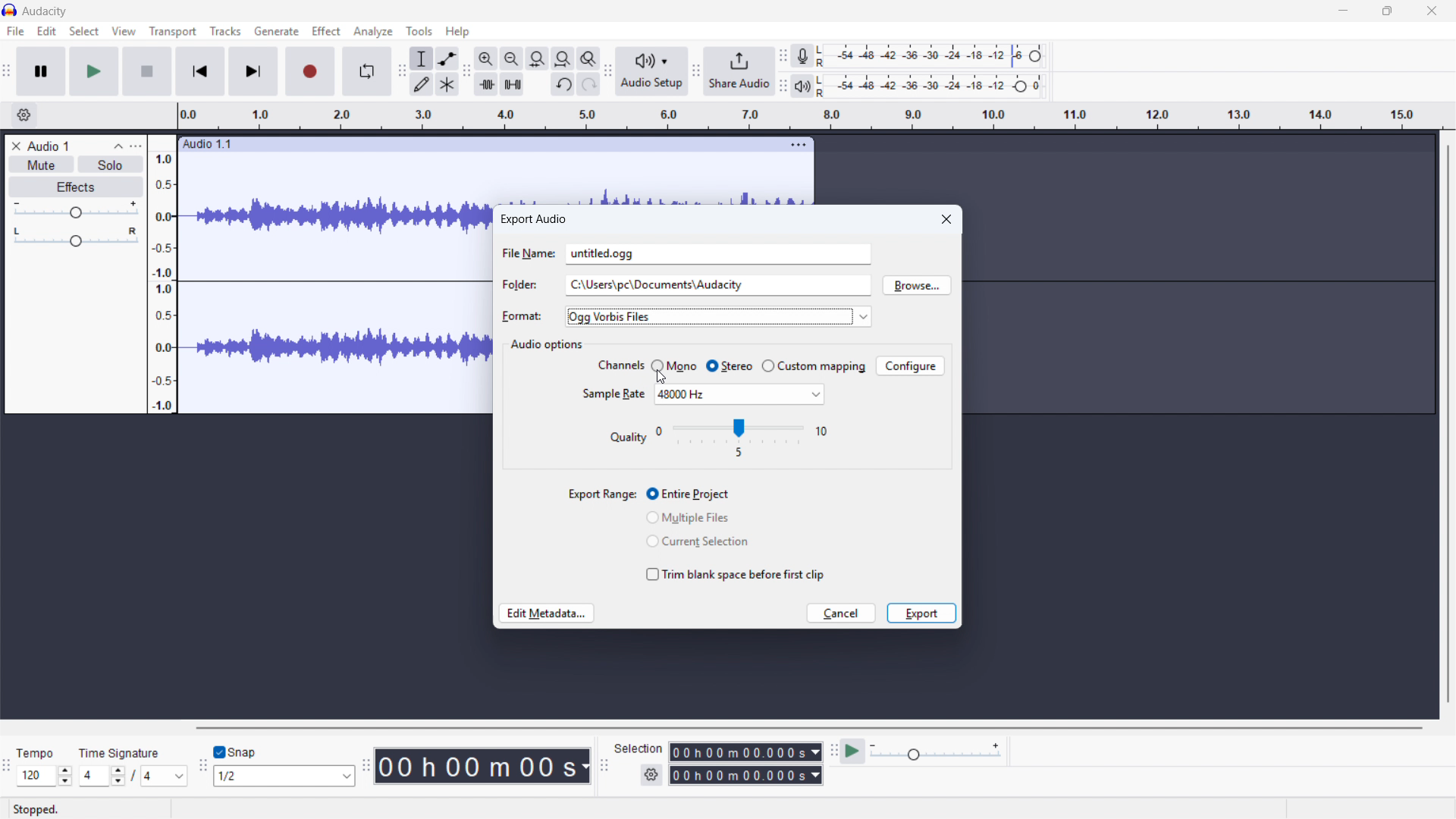 This screenshot has width=1456, height=819. I want to click on Record , so click(310, 71).